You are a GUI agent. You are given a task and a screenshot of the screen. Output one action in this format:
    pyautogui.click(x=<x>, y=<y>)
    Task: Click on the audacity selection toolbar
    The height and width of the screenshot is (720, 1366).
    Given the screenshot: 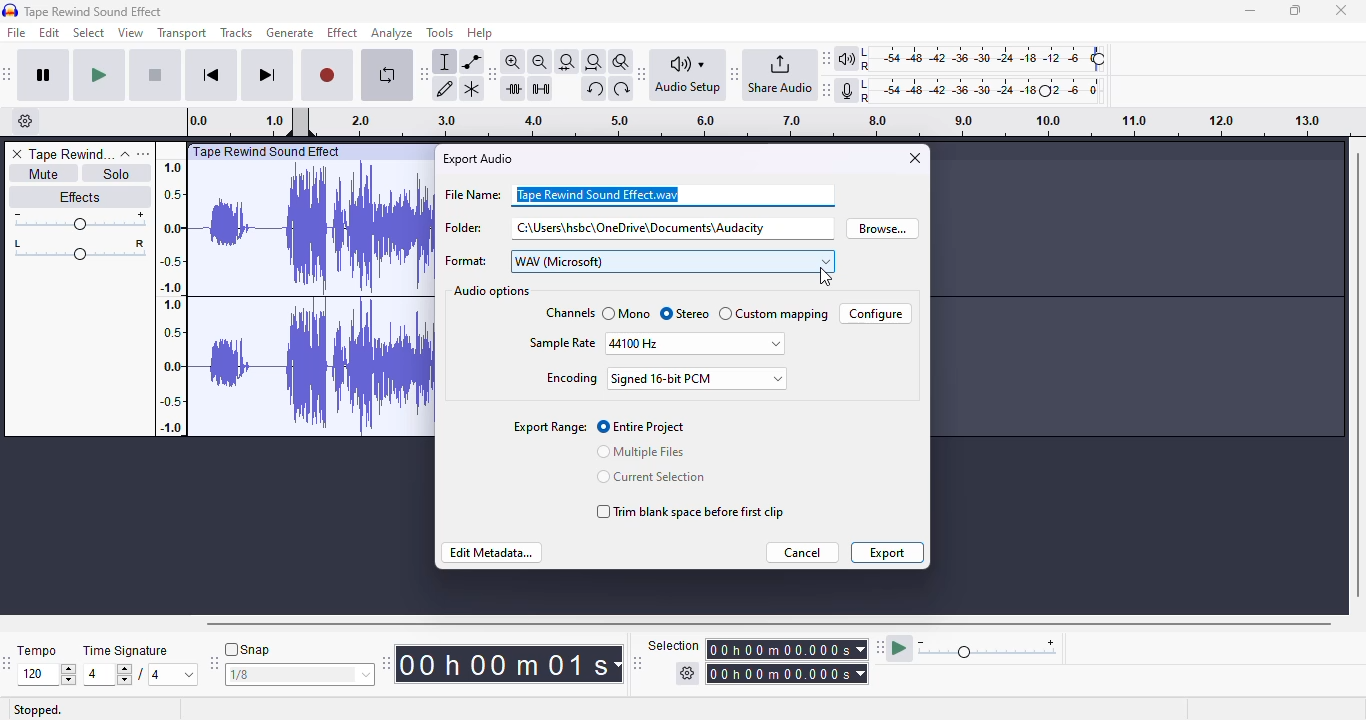 What is the action you would take?
    pyautogui.click(x=751, y=660)
    